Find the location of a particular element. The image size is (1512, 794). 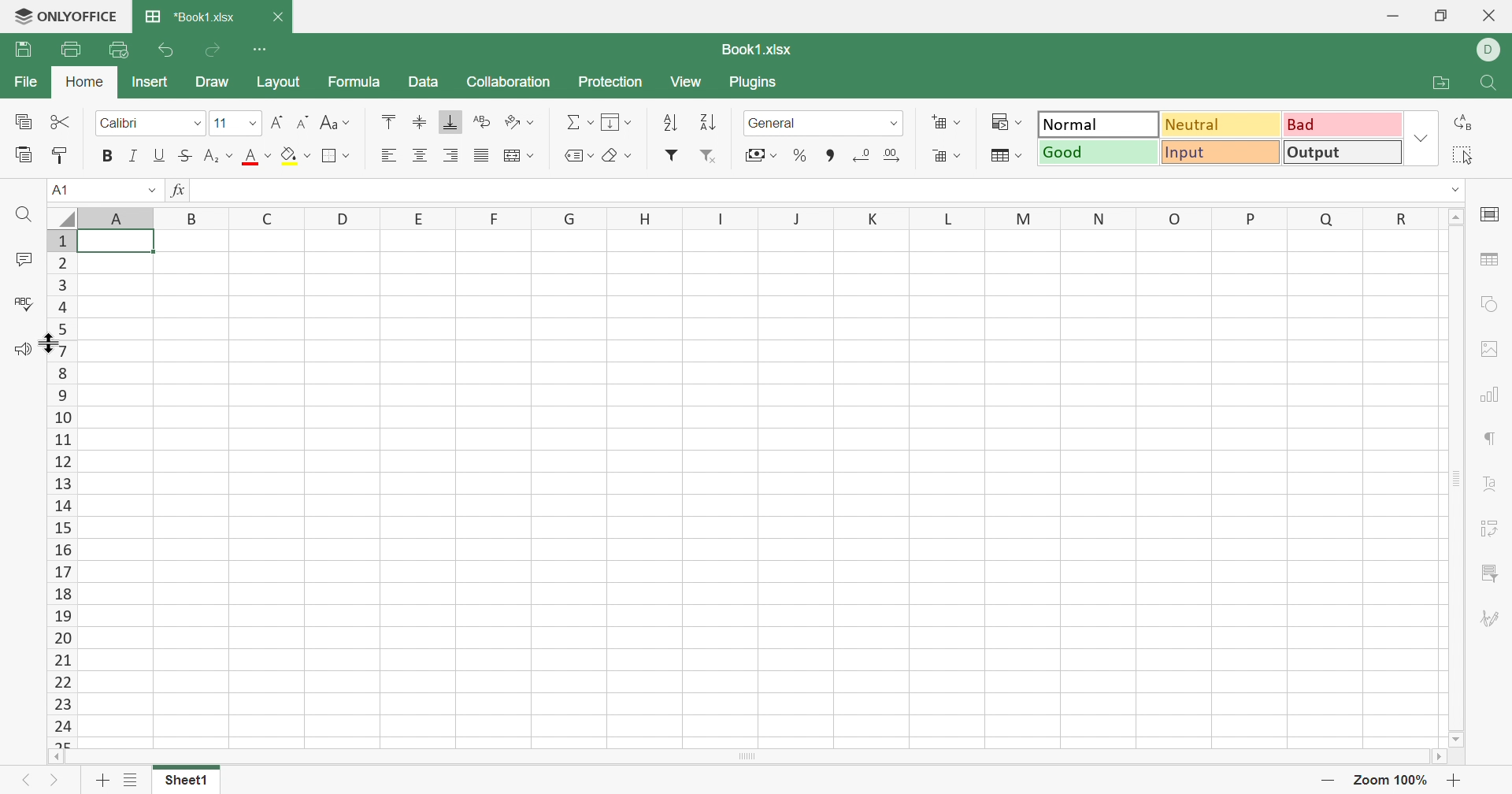

Input is located at coordinates (1221, 152).